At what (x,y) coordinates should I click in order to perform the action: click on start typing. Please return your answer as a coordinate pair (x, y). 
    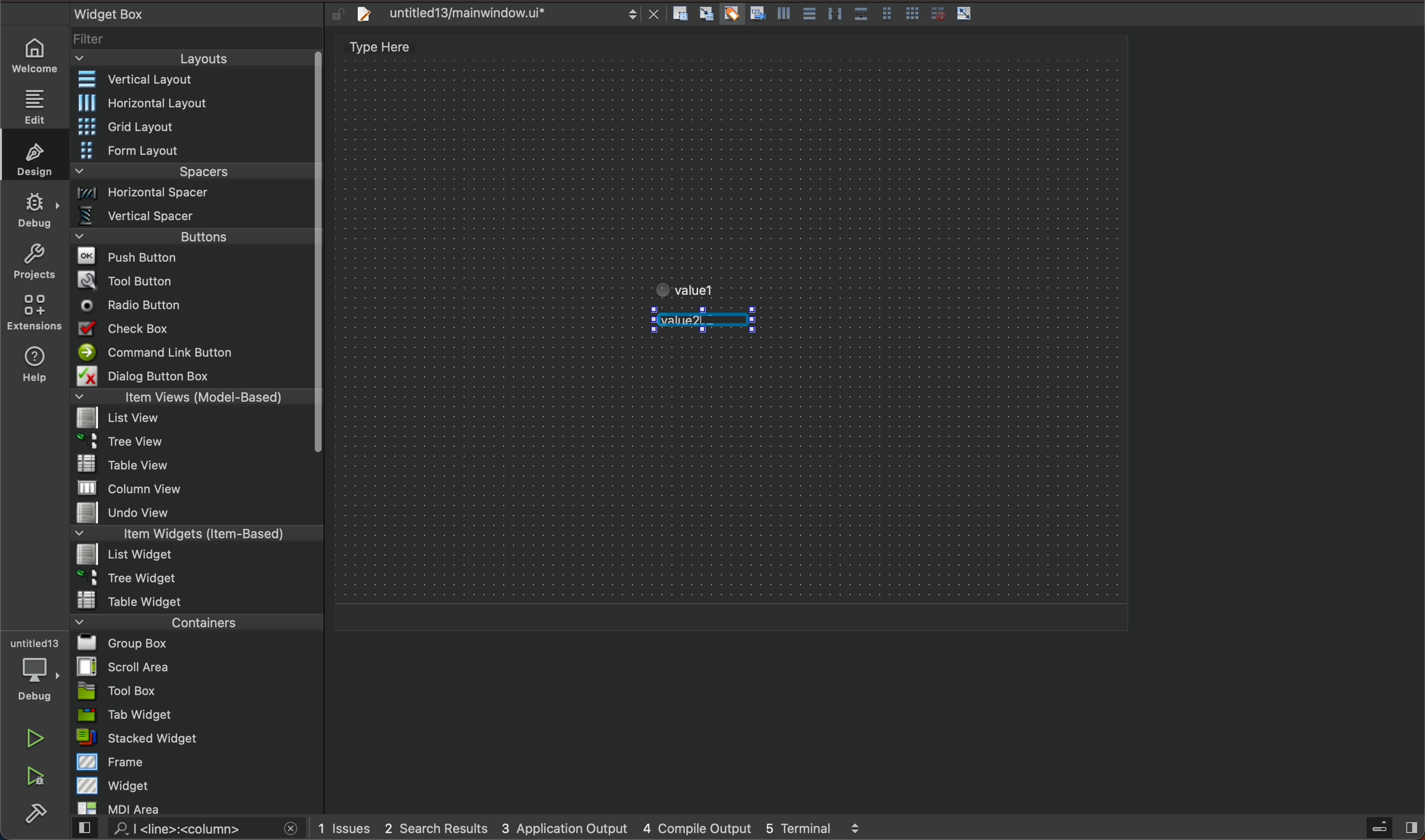
    Looking at the image, I should click on (701, 284).